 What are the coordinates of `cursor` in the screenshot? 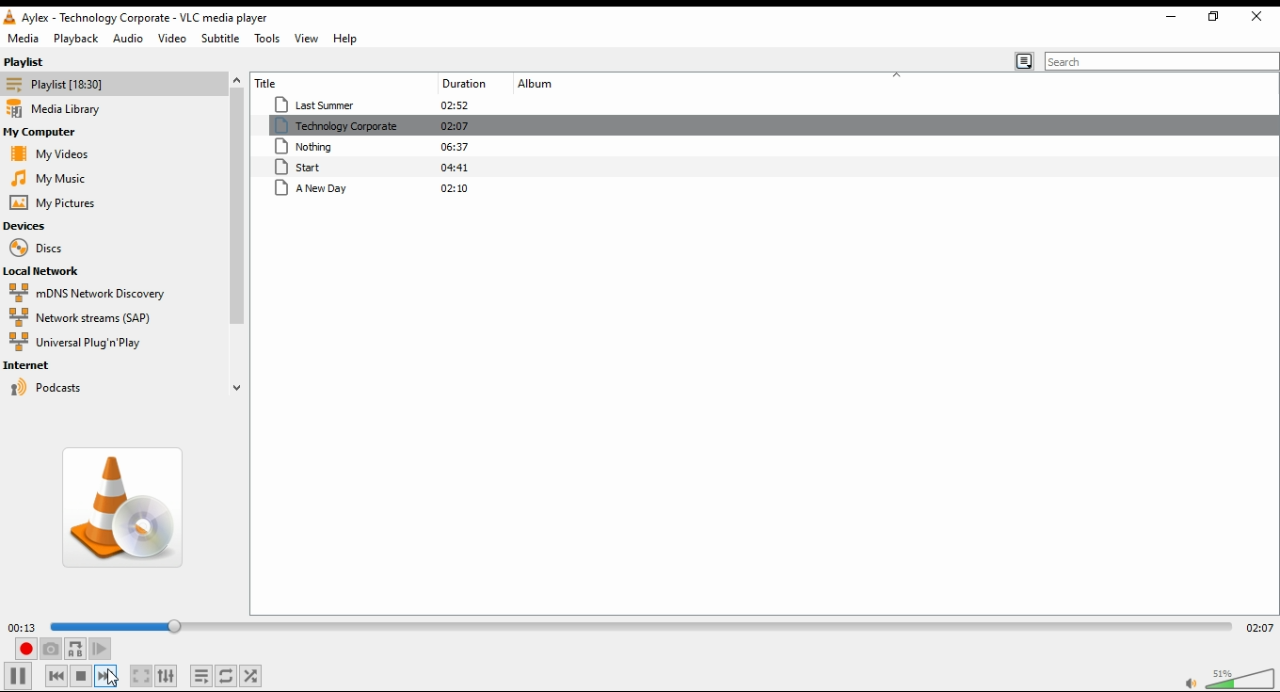 It's located at (111, 675).